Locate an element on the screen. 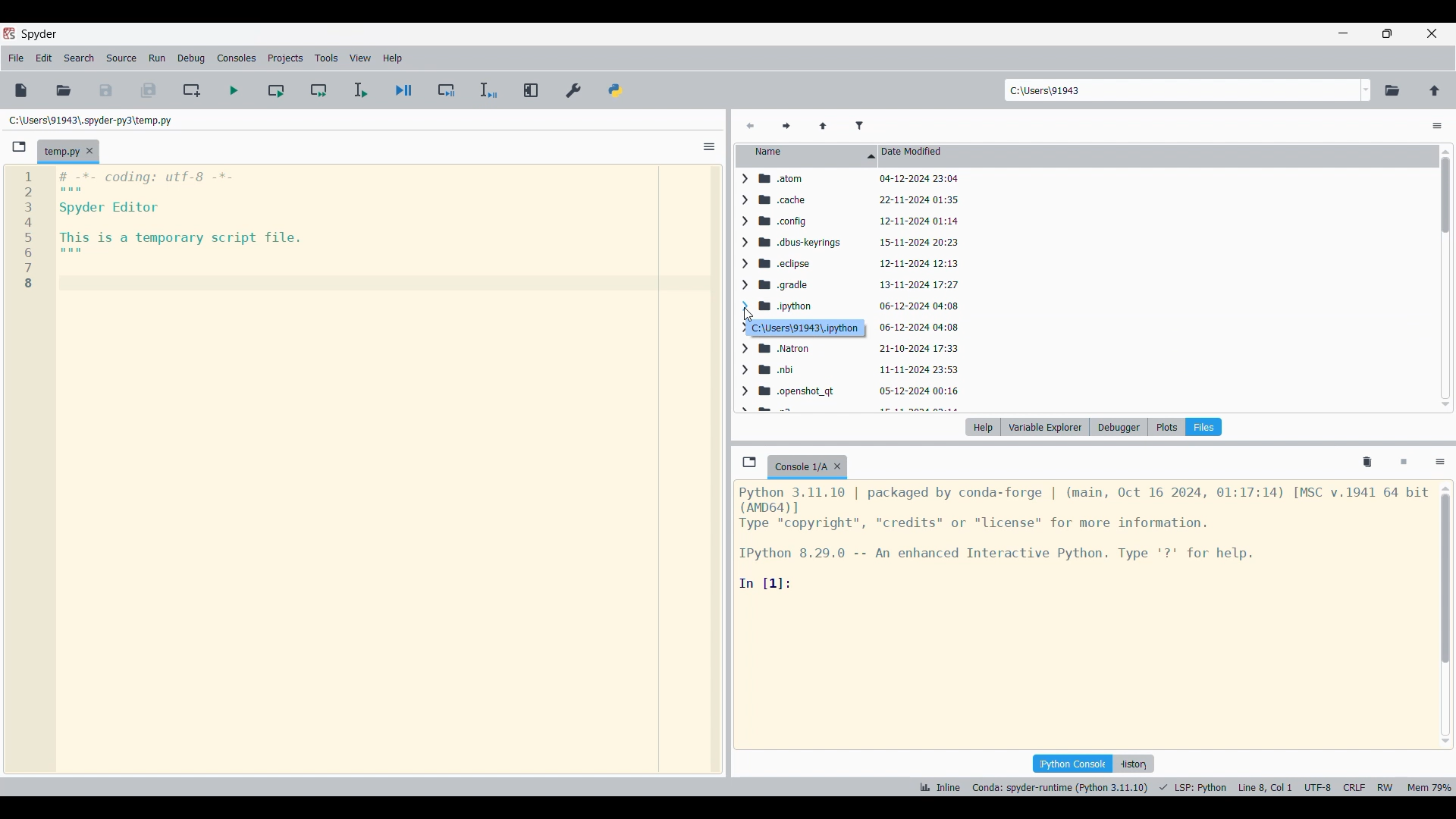  Vertical slide bar is located at coordinates (1445, 615).